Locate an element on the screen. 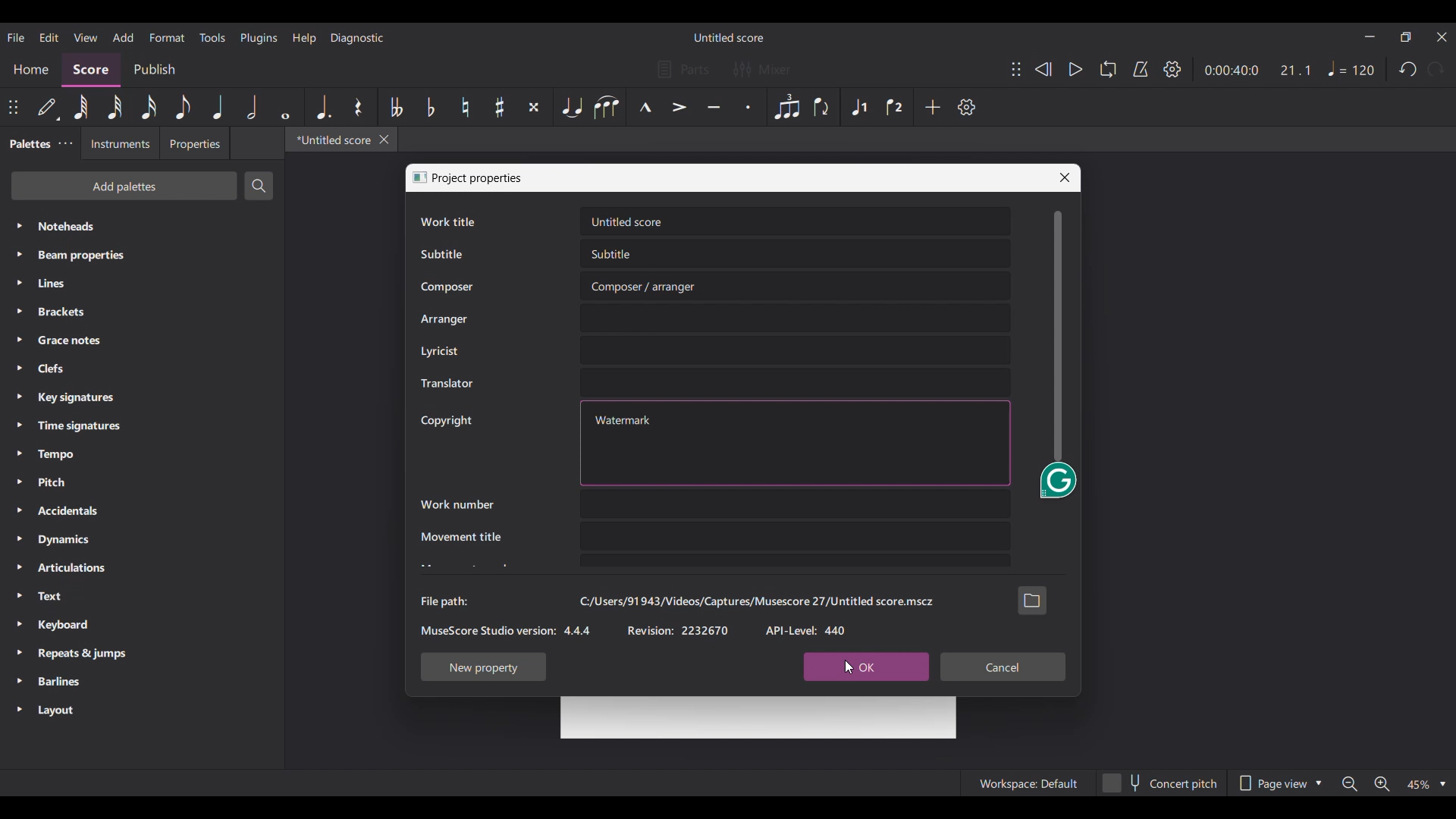 This screenshot has height=819, width=1456. Text is located at coordinates (142, 596).